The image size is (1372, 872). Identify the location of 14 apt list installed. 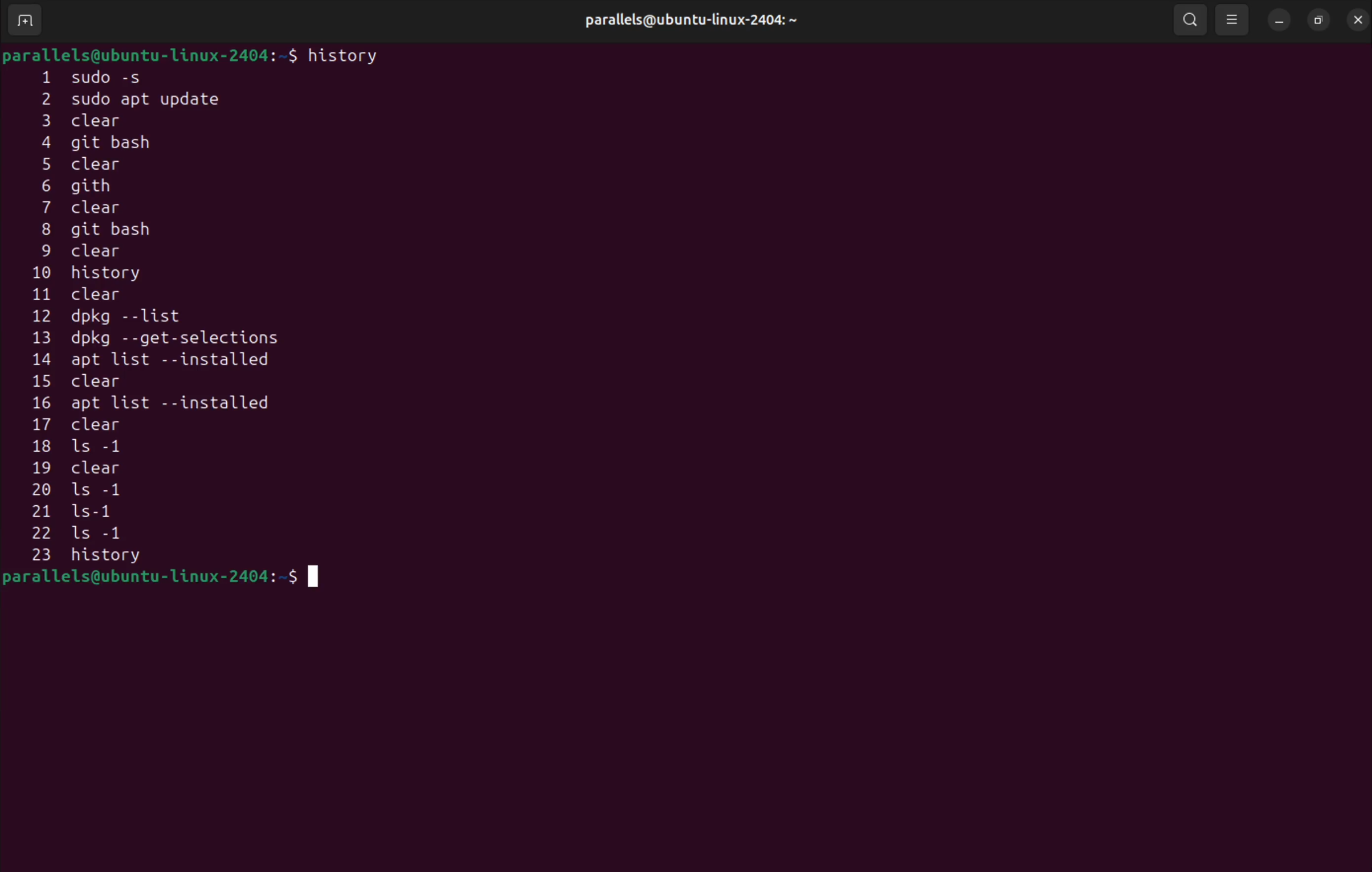
(165, 360).